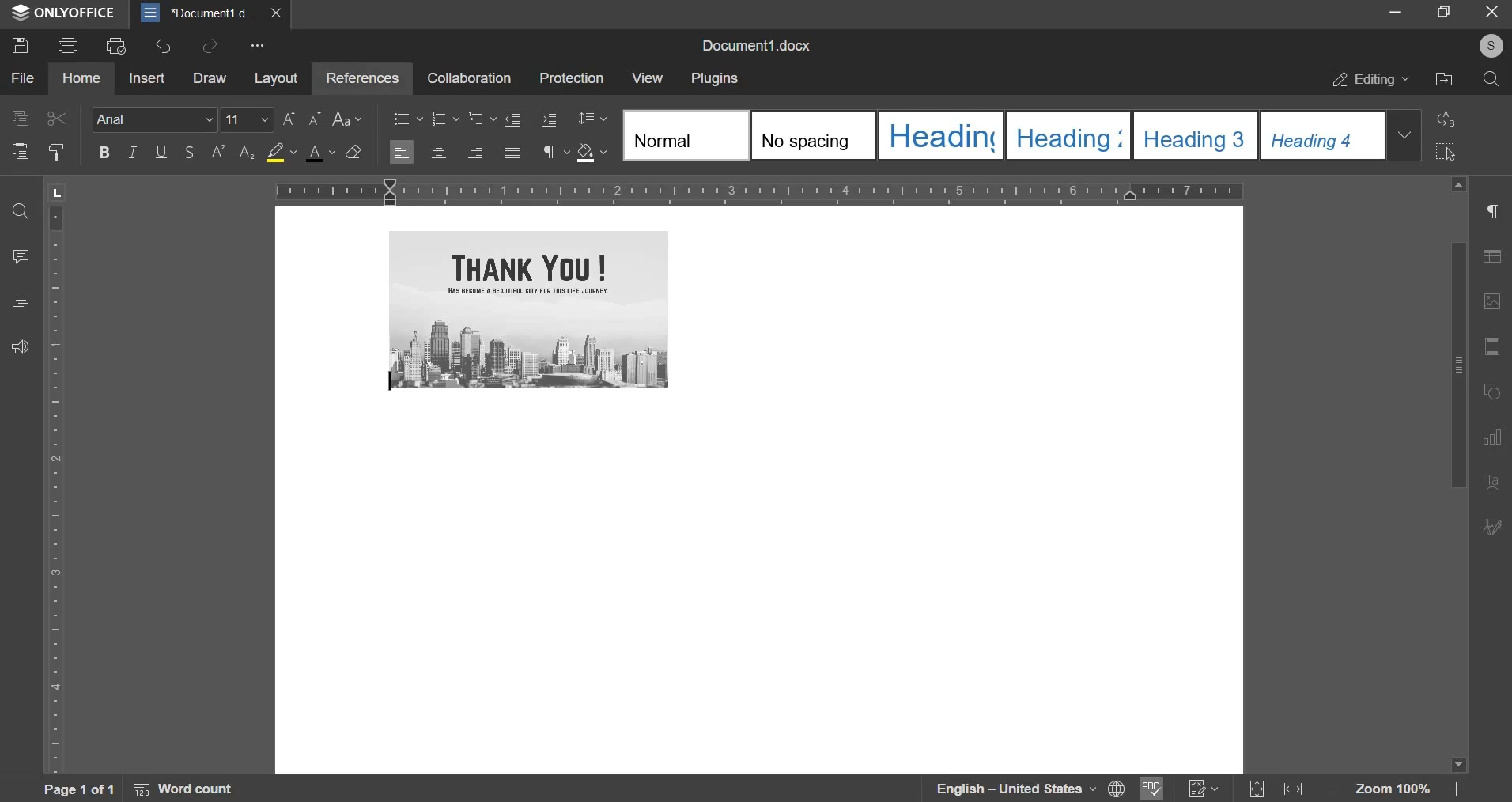 This screenshot has width=1512, height=802. What do you see at coordinates (20, 346) in the screenshot?
I see `feedback` at bounding box center [20, 346].